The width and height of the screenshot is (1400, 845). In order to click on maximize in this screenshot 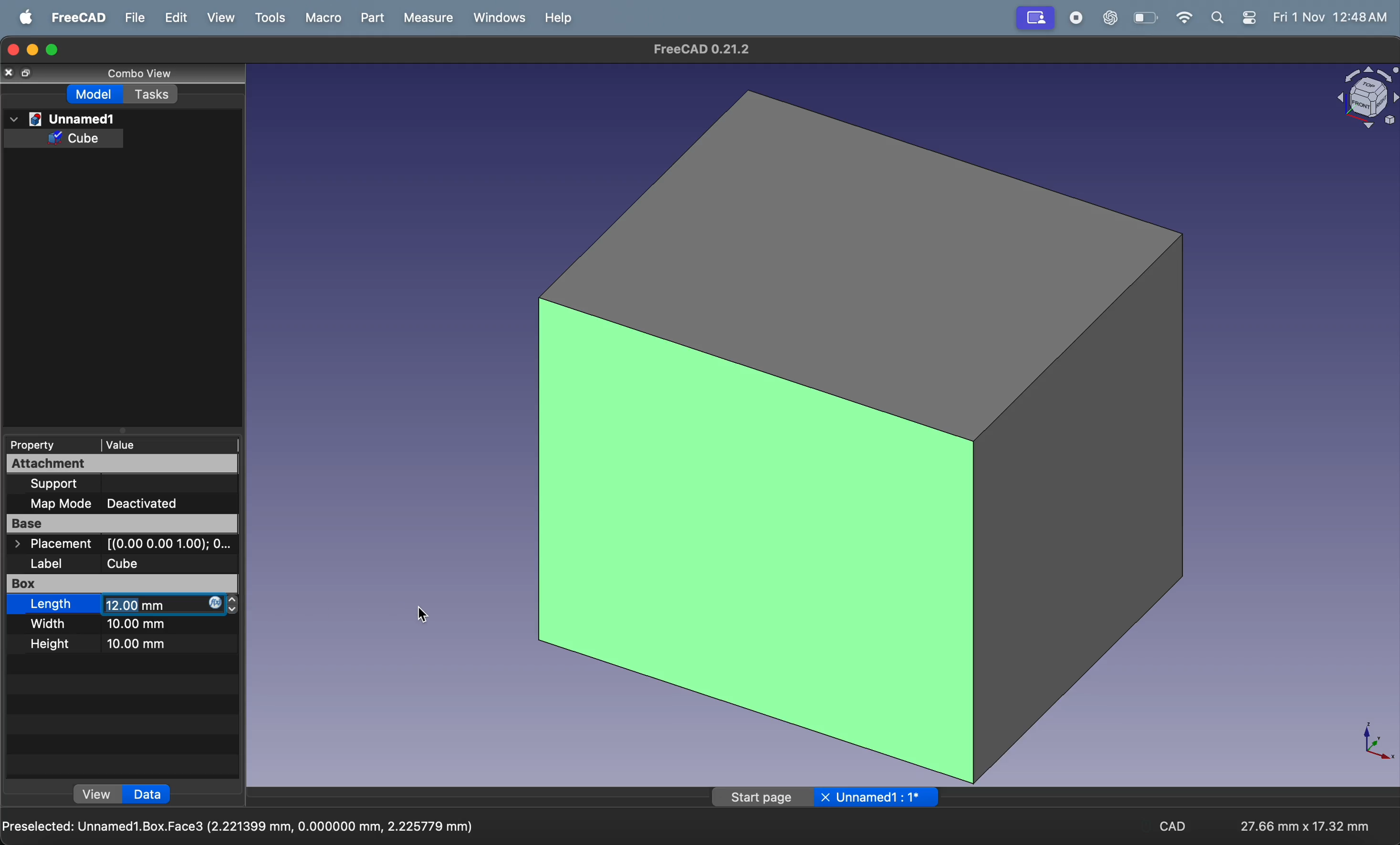, I will do `click(56, 49)`.